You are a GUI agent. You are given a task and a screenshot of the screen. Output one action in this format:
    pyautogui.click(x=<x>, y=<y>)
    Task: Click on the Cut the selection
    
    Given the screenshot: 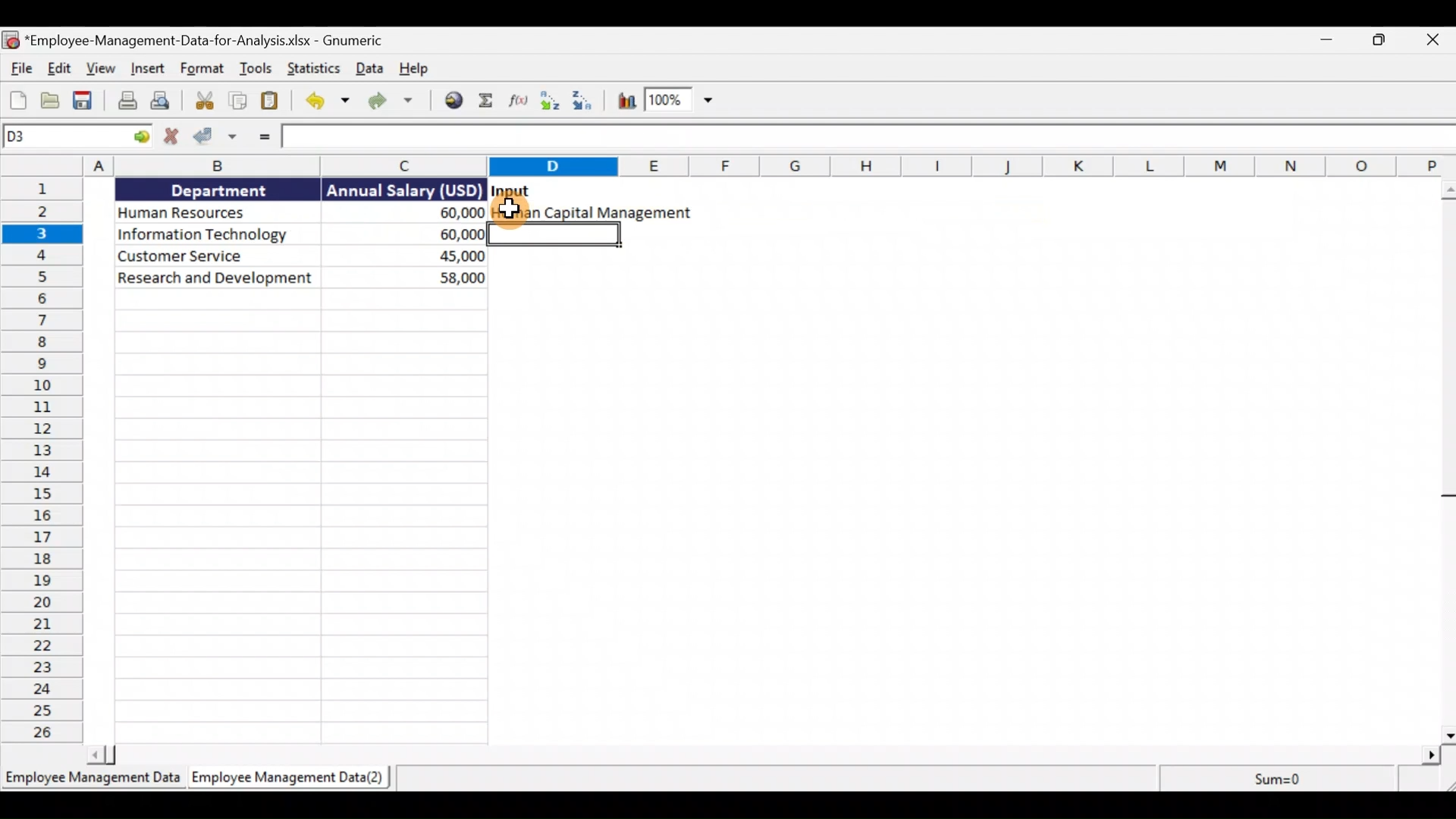 What is the action you would take?
    pyautogui.click(x=204, y=102)
    